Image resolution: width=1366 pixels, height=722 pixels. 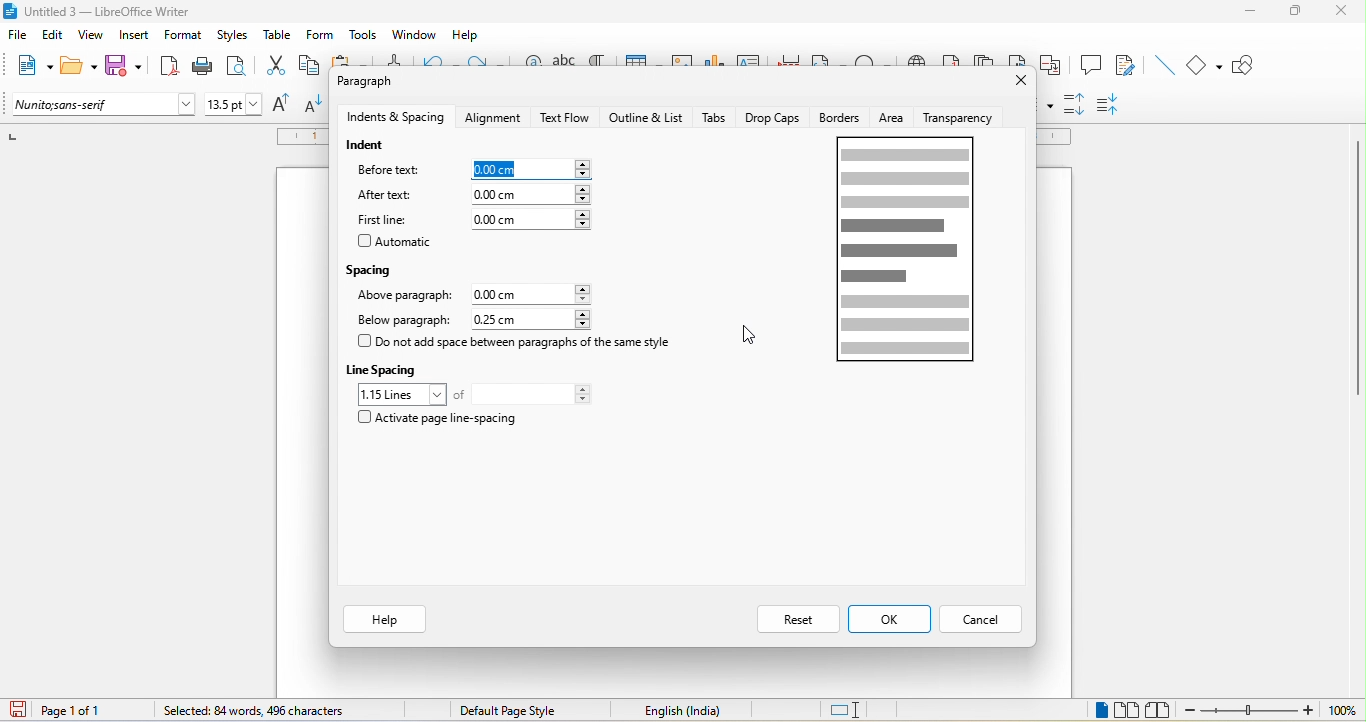 I want to click on ok, so click(x=889, y=619).